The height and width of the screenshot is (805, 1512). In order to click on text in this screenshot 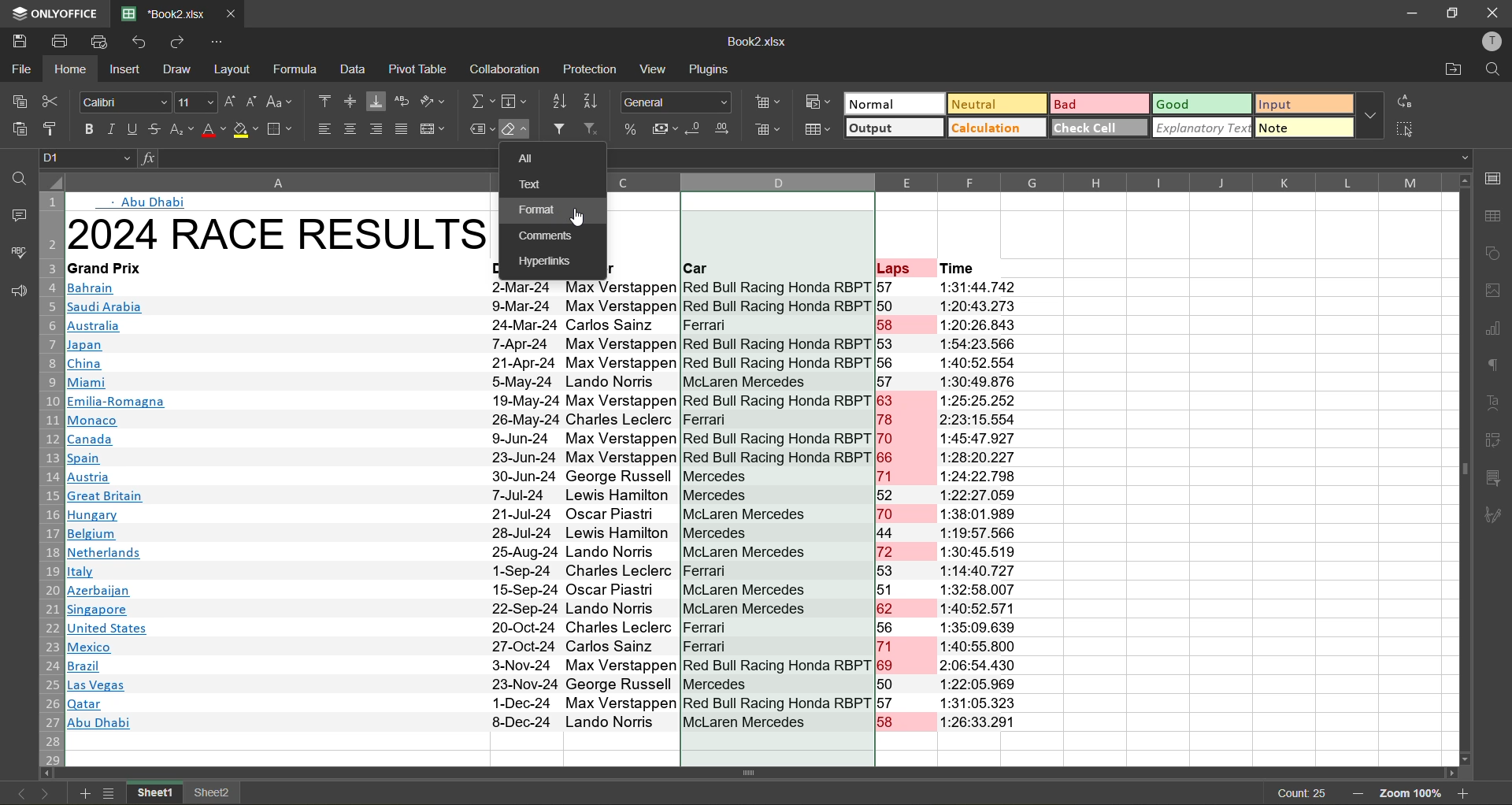, I will do `click(537, 184)`.